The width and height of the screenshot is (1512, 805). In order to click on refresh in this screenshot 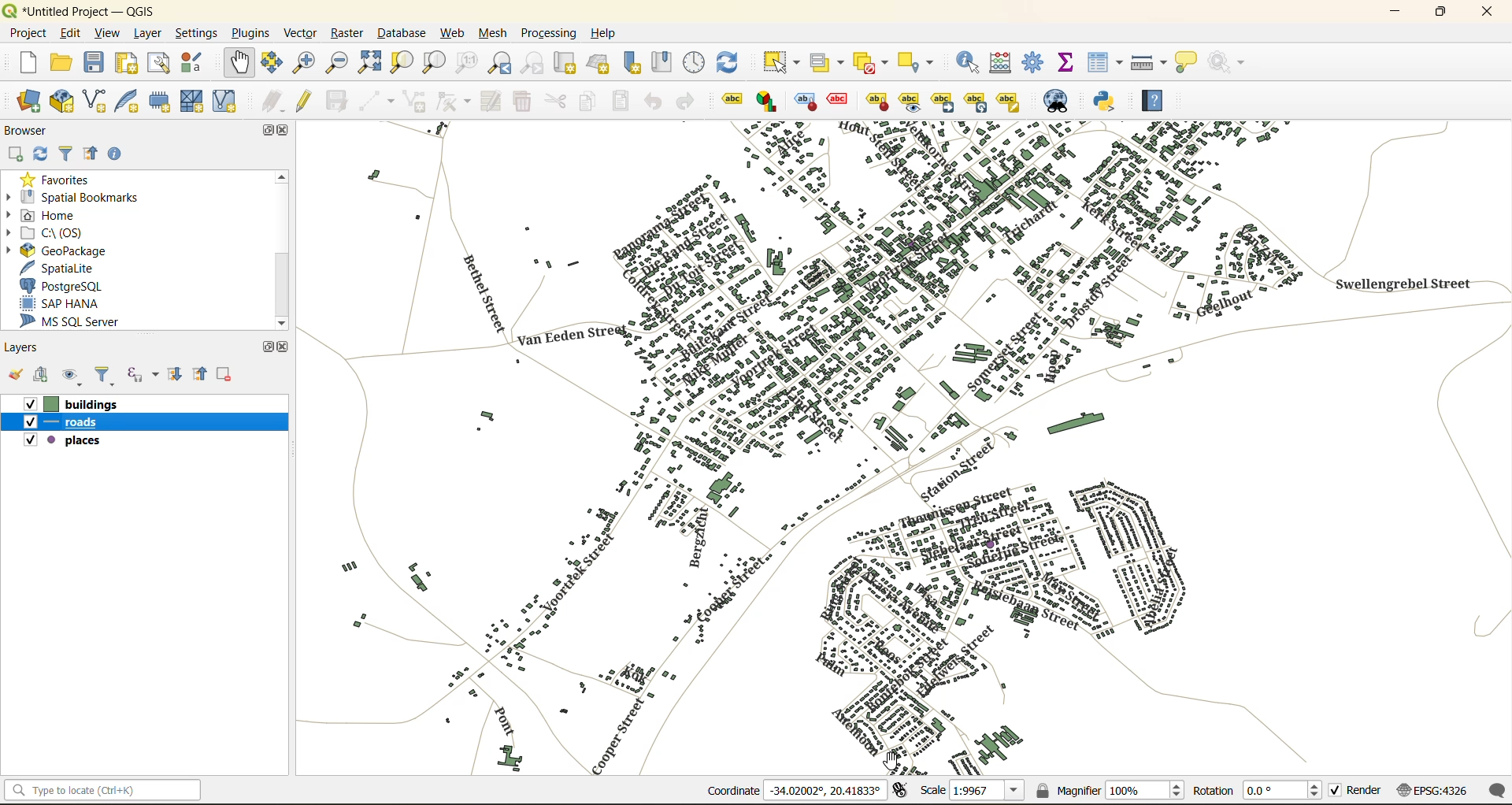, I will do `click(733, 63)`.